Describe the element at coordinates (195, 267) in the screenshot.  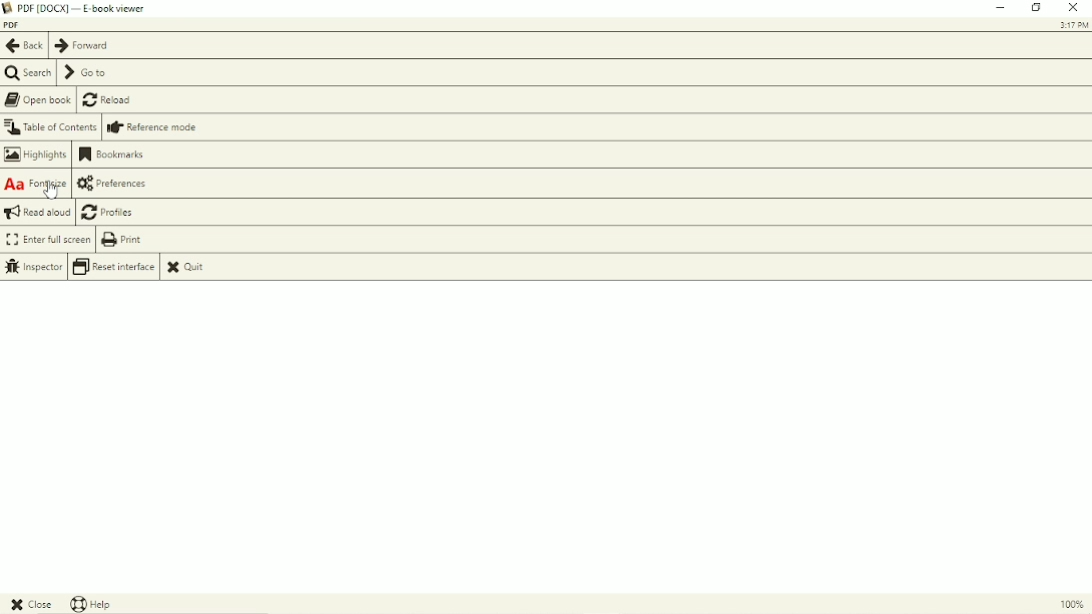
I see `Quit` at that location.